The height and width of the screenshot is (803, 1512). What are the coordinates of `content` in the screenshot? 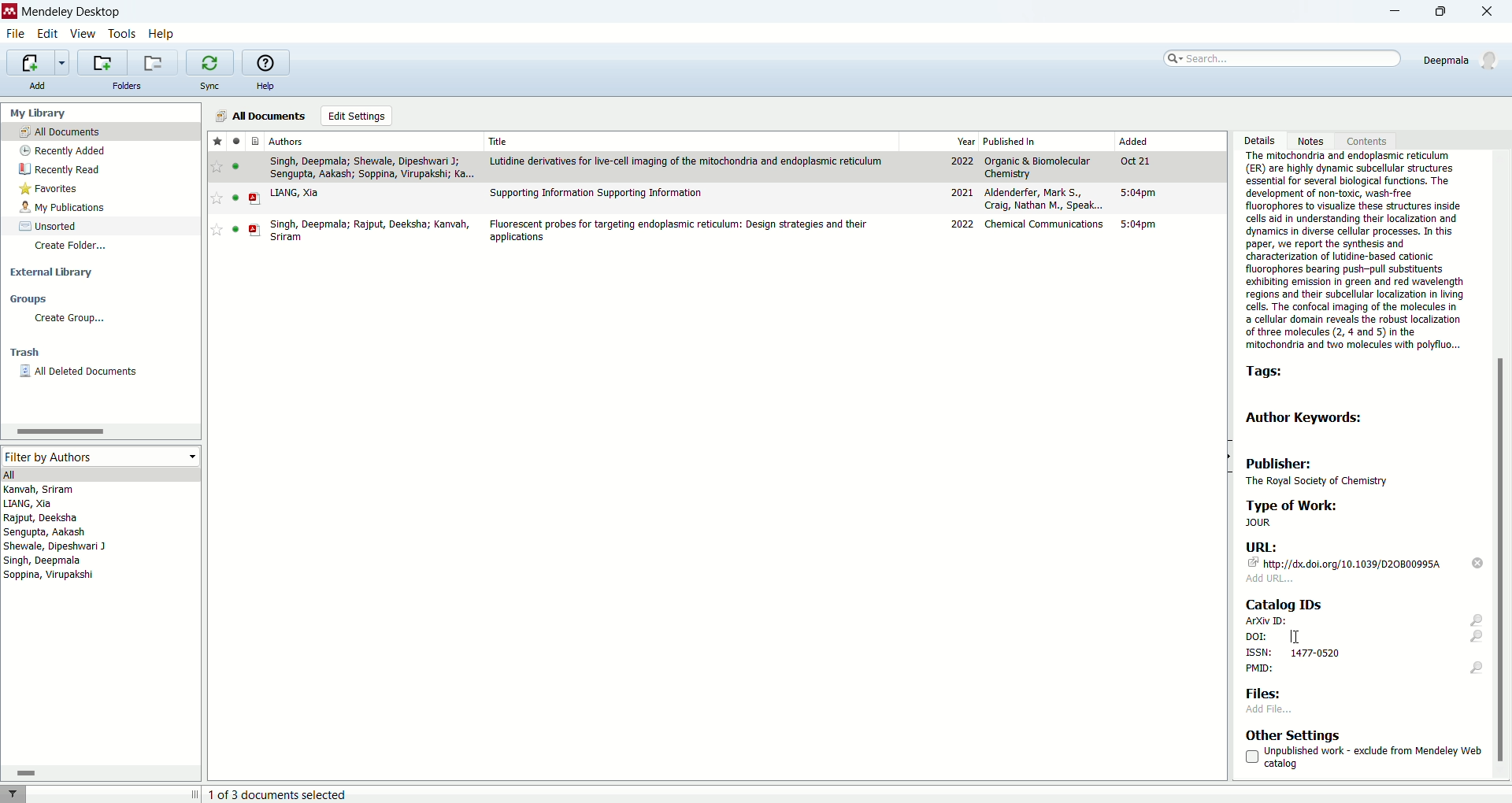 It's located at (1364, 140).